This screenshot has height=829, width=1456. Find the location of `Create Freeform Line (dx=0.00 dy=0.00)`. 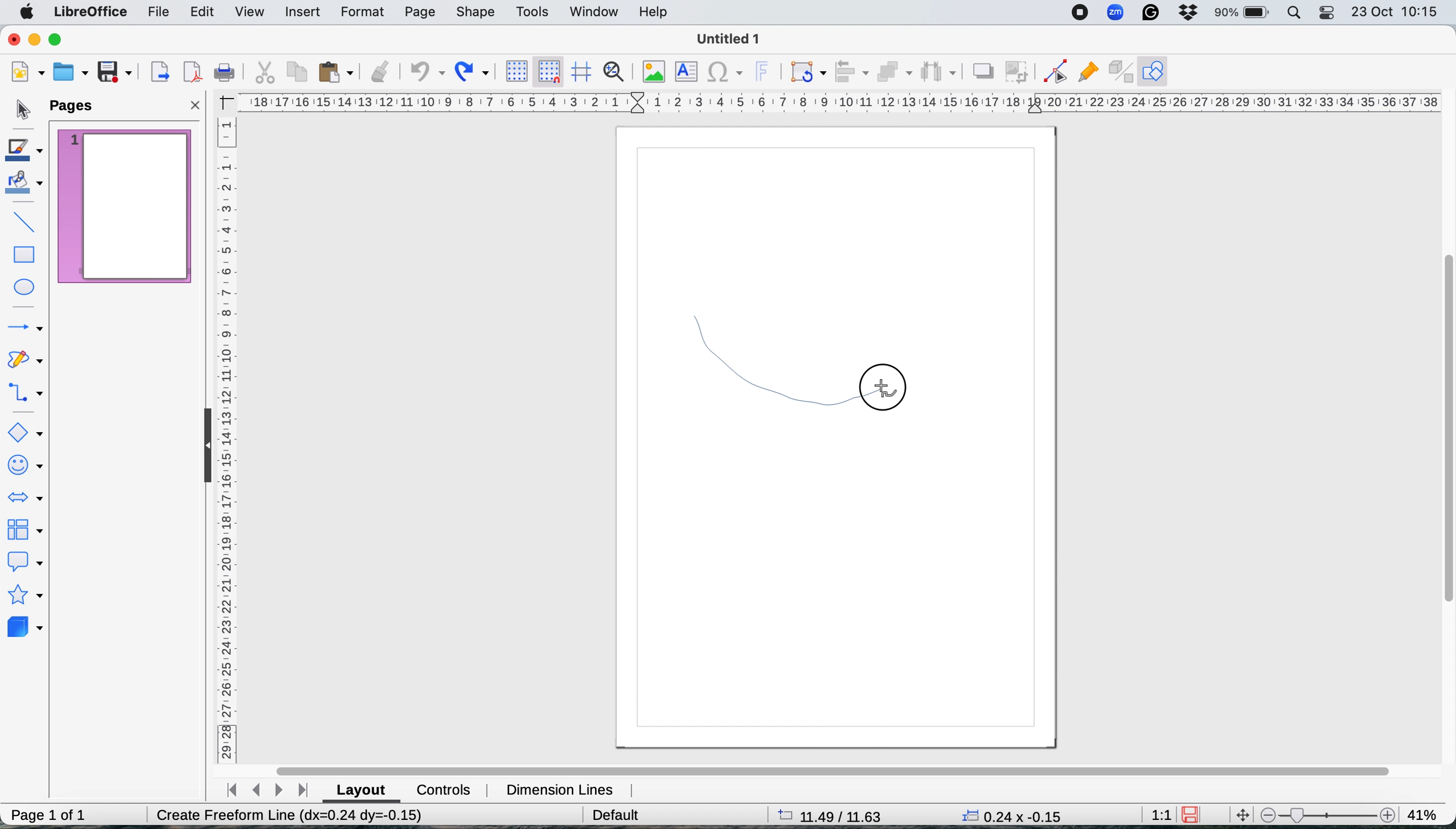

Create Freeform Line (dx=0.00 dy=0.00) is located at coordinates (289, 814).